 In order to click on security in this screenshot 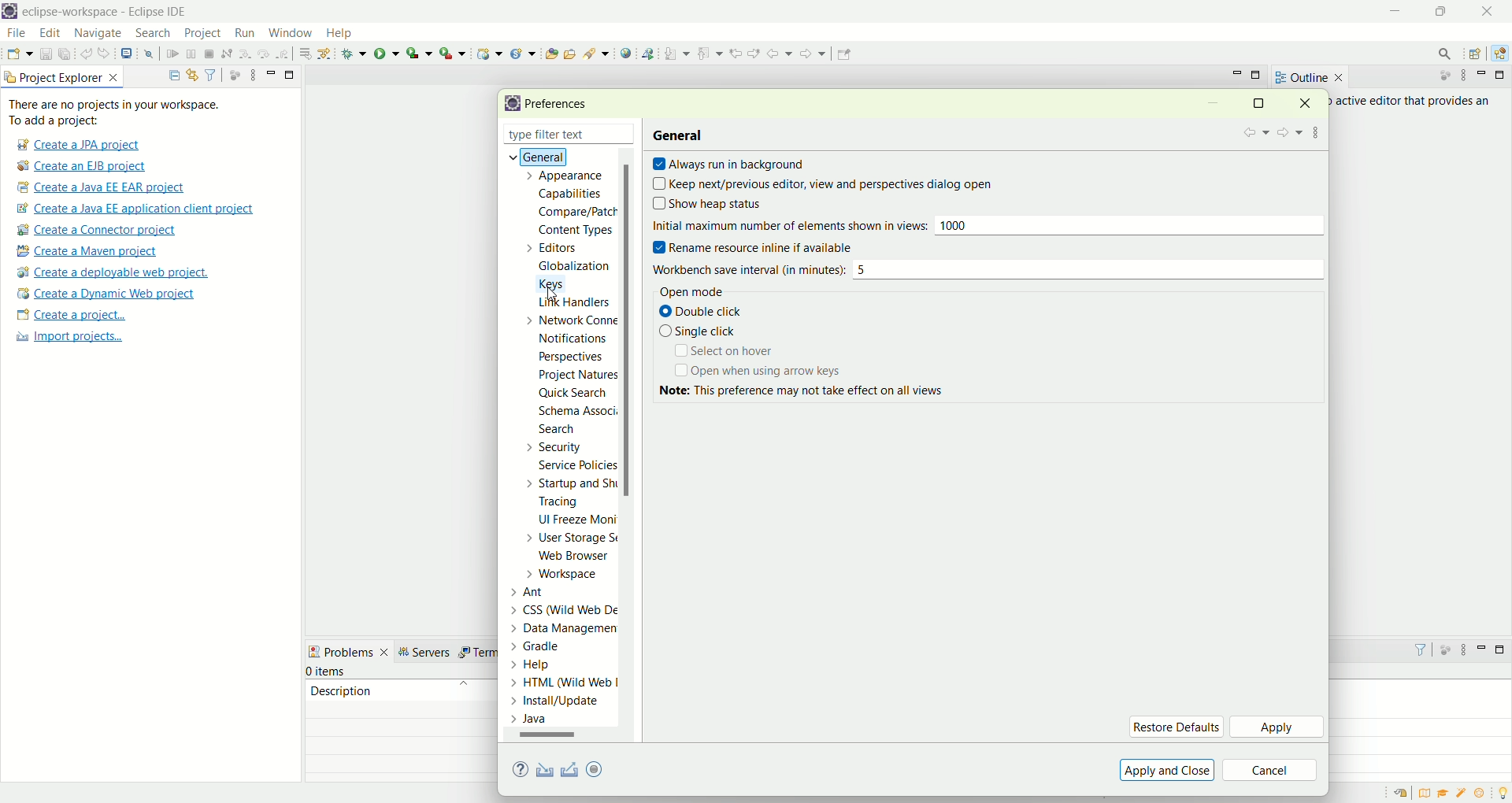, I will do `click(550, 447)`.